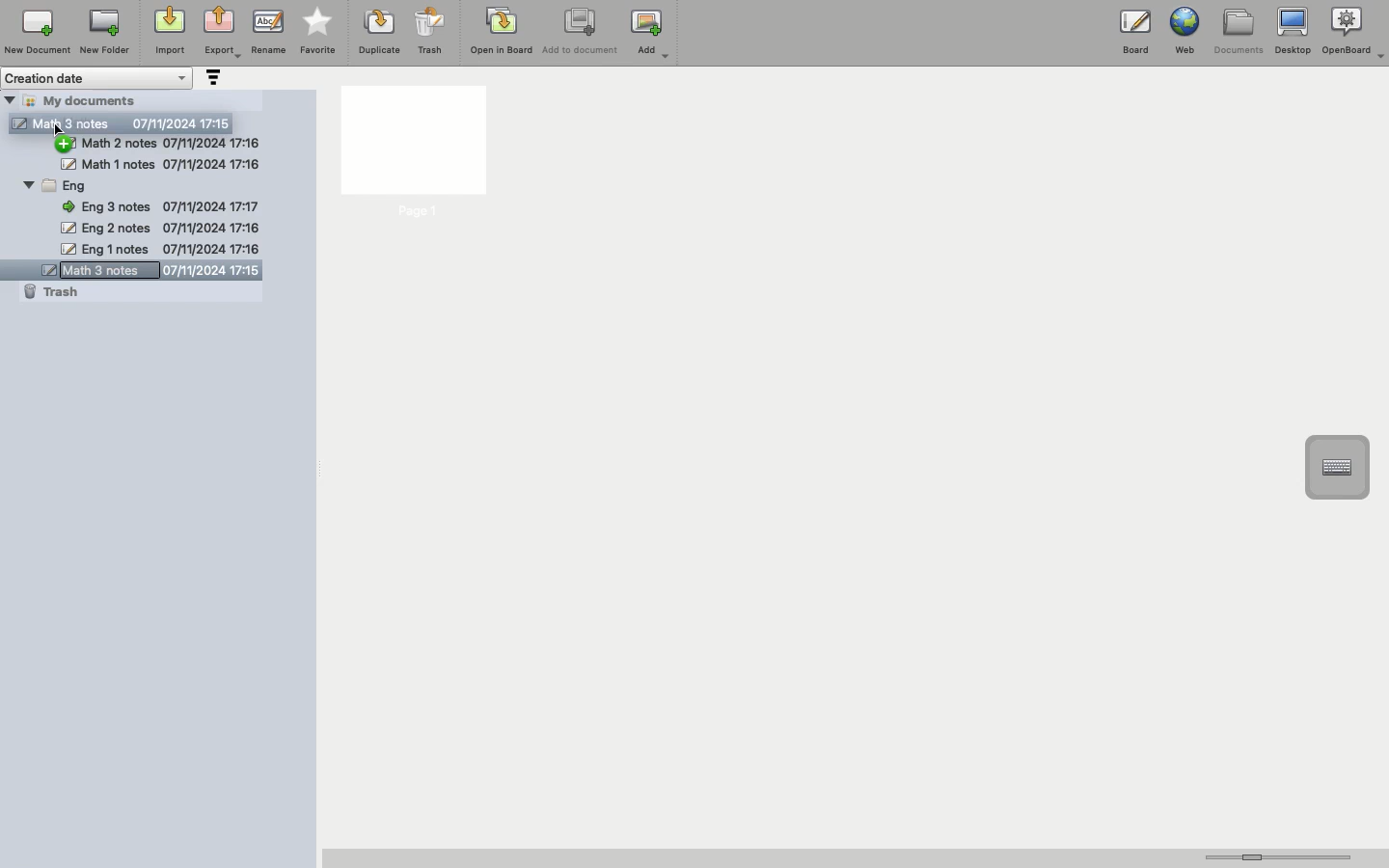 This screenshot has width=1389, height=868. What do you see at coordinates (318, 32) in the screenshot?
I see `Favorite` at bounding box center [318, 32].